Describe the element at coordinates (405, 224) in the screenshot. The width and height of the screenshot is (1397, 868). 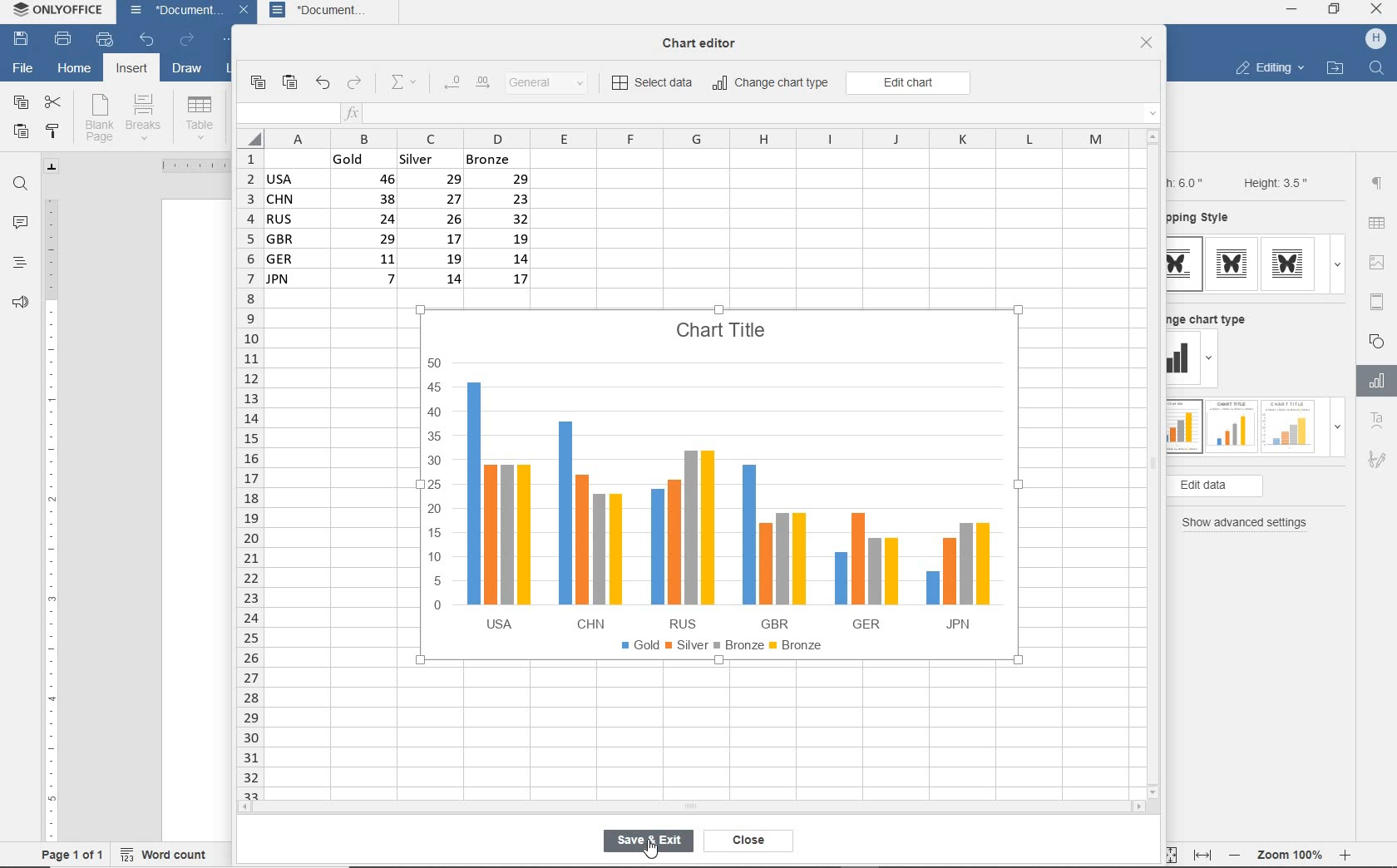
I see `data` at that location.